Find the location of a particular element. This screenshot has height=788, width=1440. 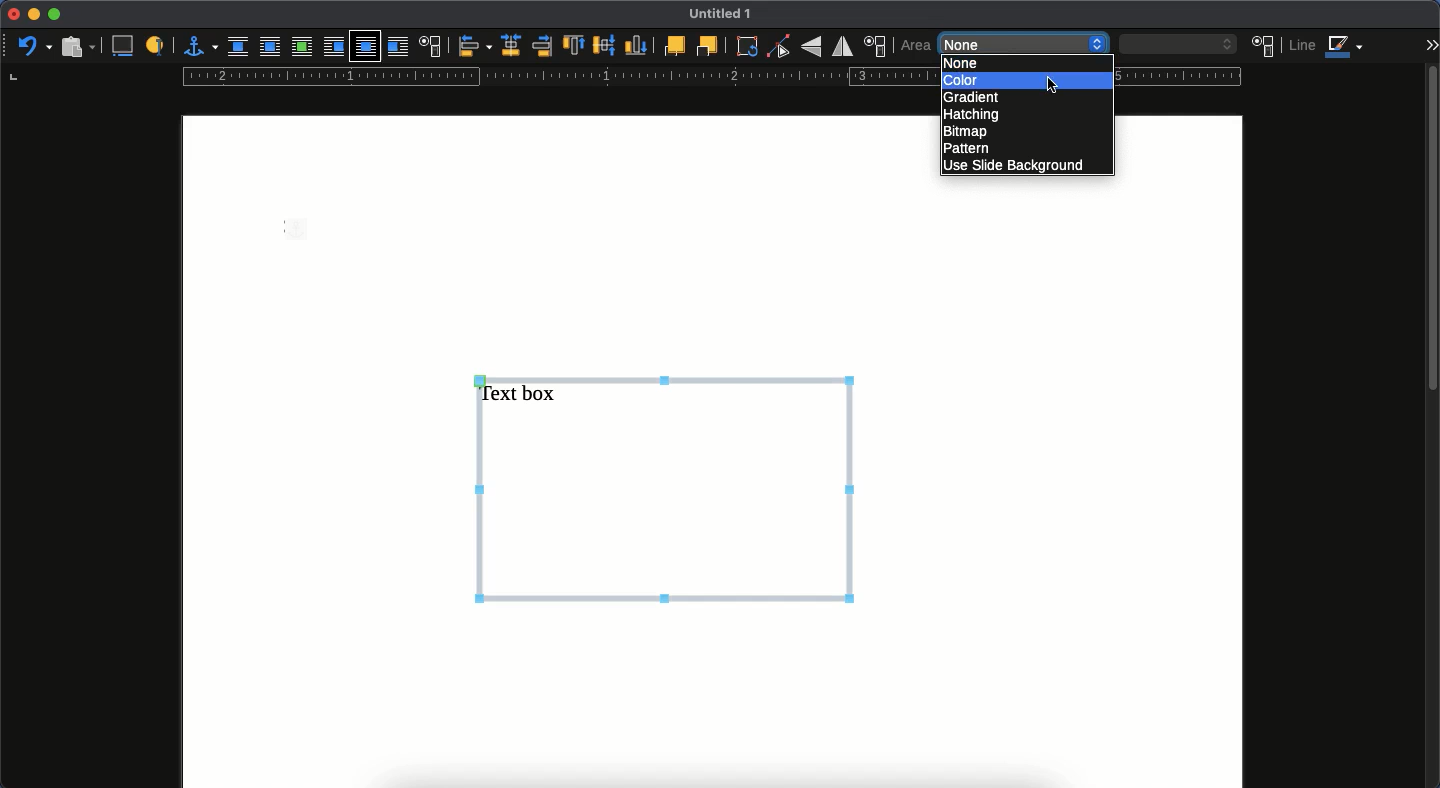

blank is located at coordinates (1177, 43).